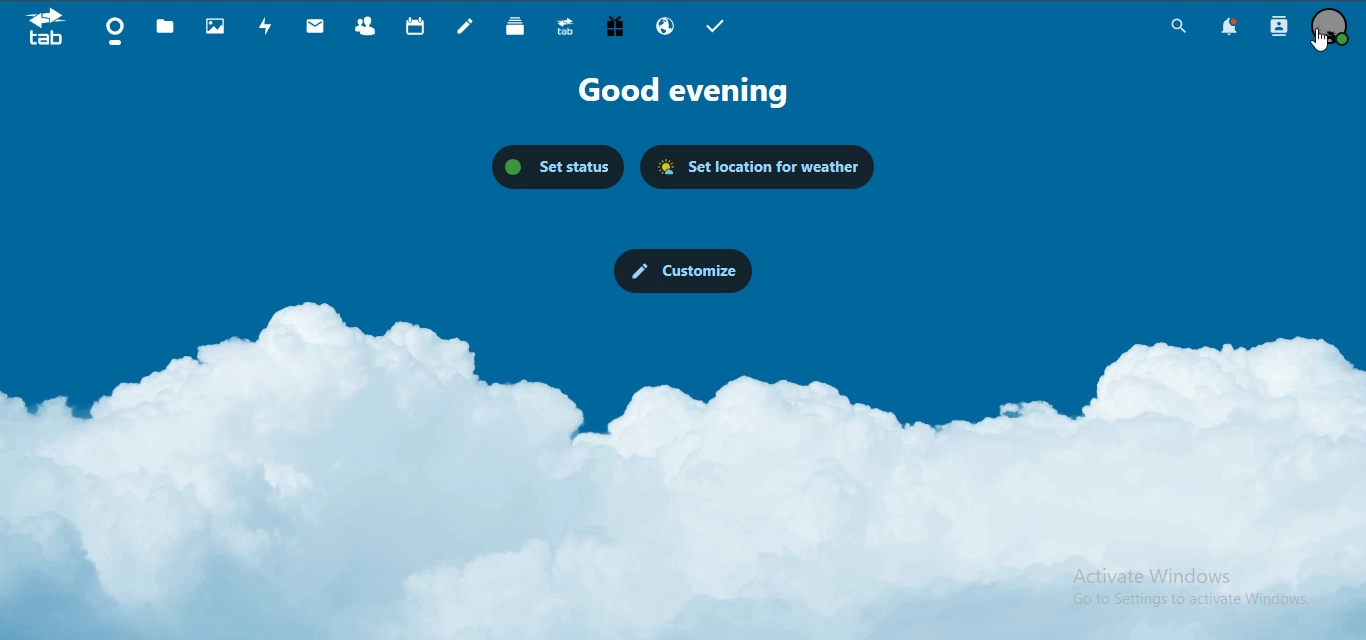 The width and height of the screenshot is (1366, 640). Describe the element at coordinates (365, 27) in the screenshot. I see `contact` at that location.